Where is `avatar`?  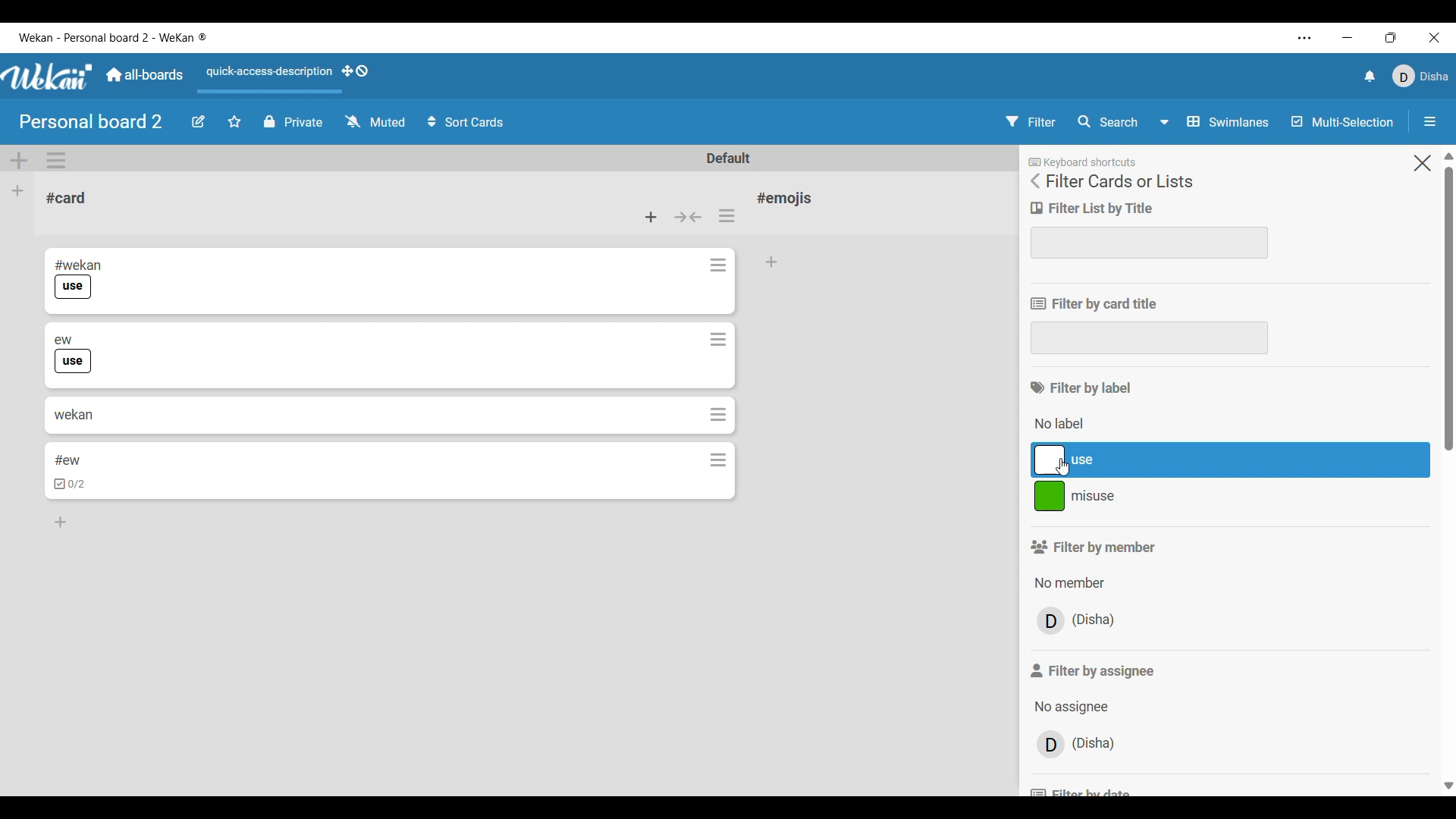
avatar is located at coordinates (1051, 620).